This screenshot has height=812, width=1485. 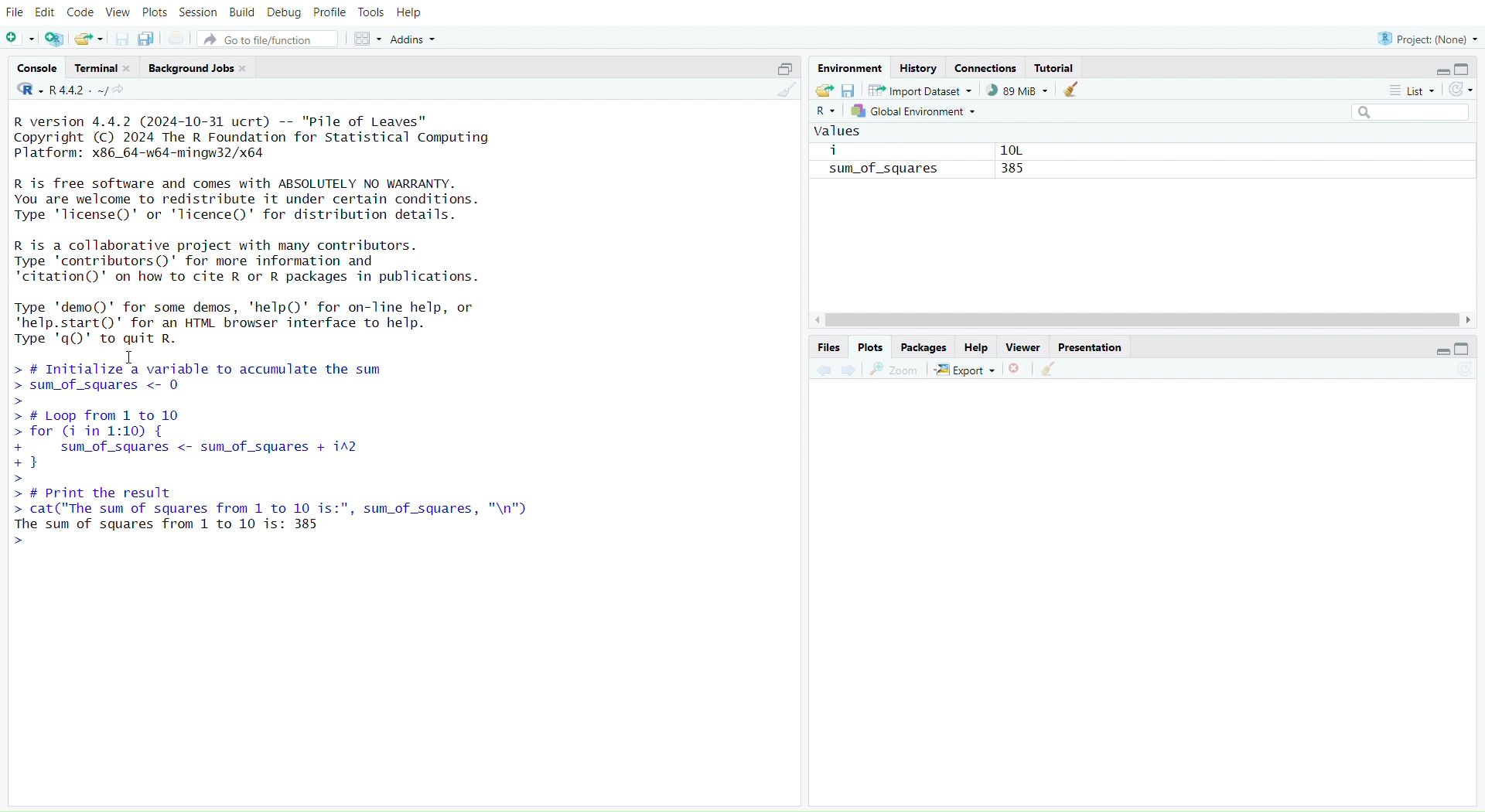 What do you see at coordinates (196, 367) in the screenshot?
I see `# Initialize a variable to accumulate the sum` at bounding box center [196, 367].